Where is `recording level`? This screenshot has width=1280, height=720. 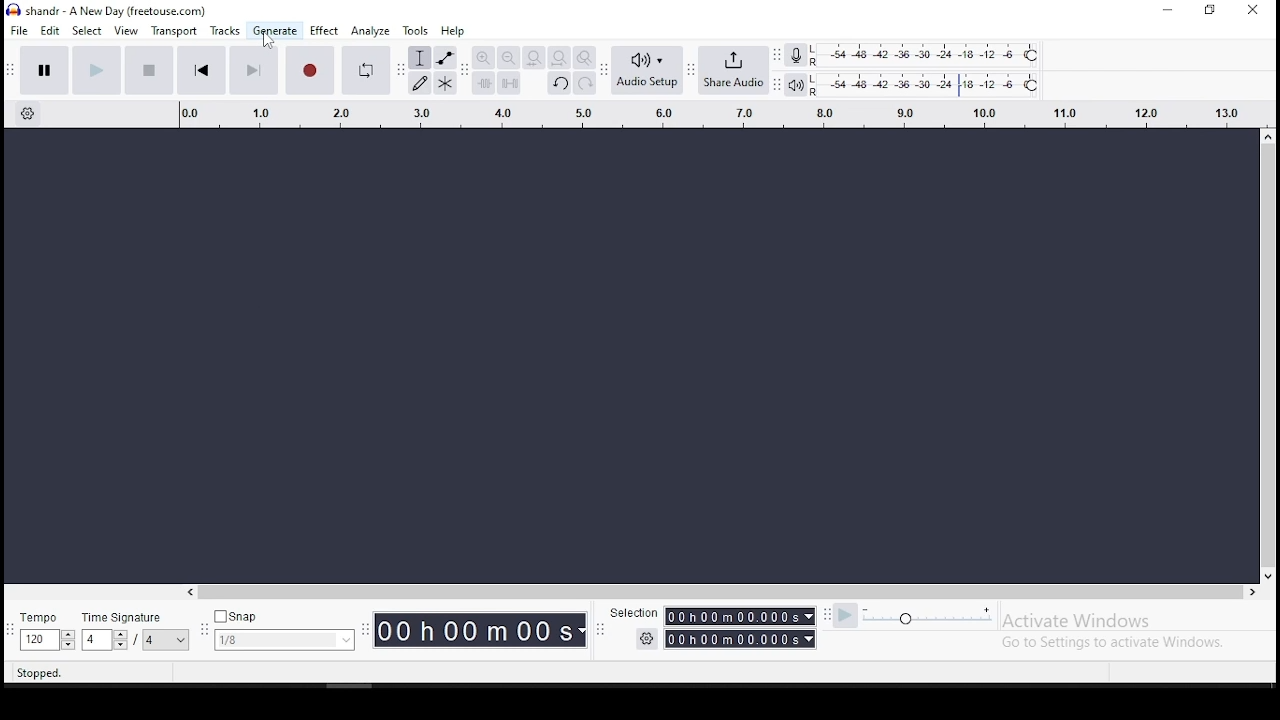 recording level is located at coordinates (929, 53).